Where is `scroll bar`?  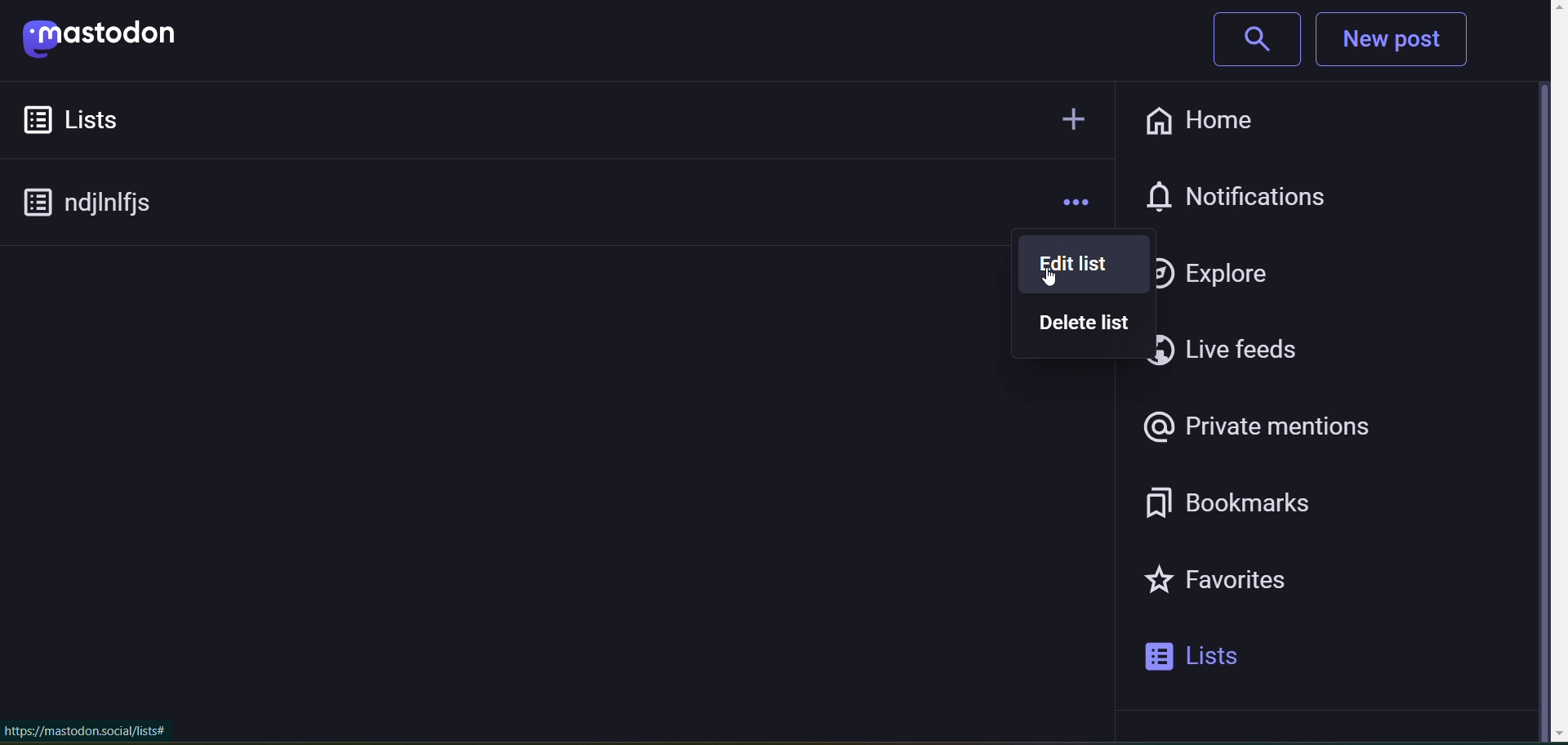 scroll bar is located at coordinates (1542, 377).